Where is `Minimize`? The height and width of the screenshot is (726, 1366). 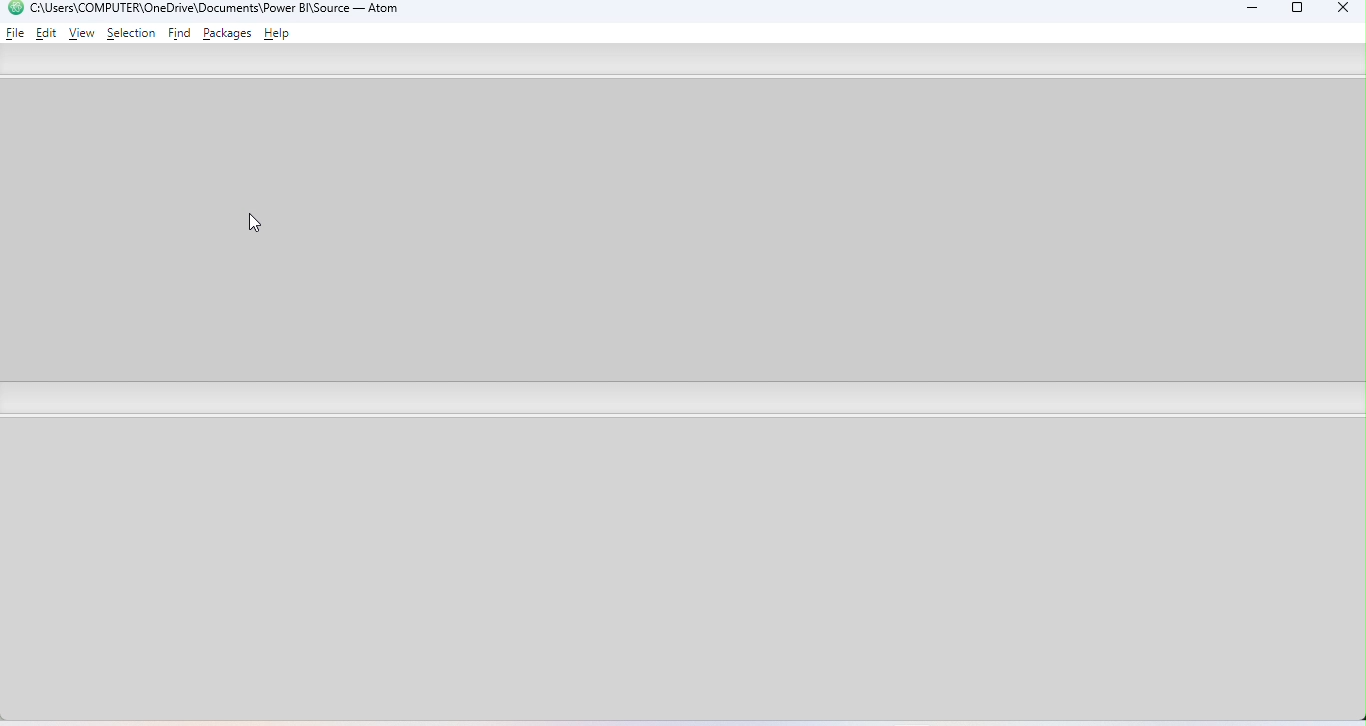 Minimize is located at coordinates (1247, 11).